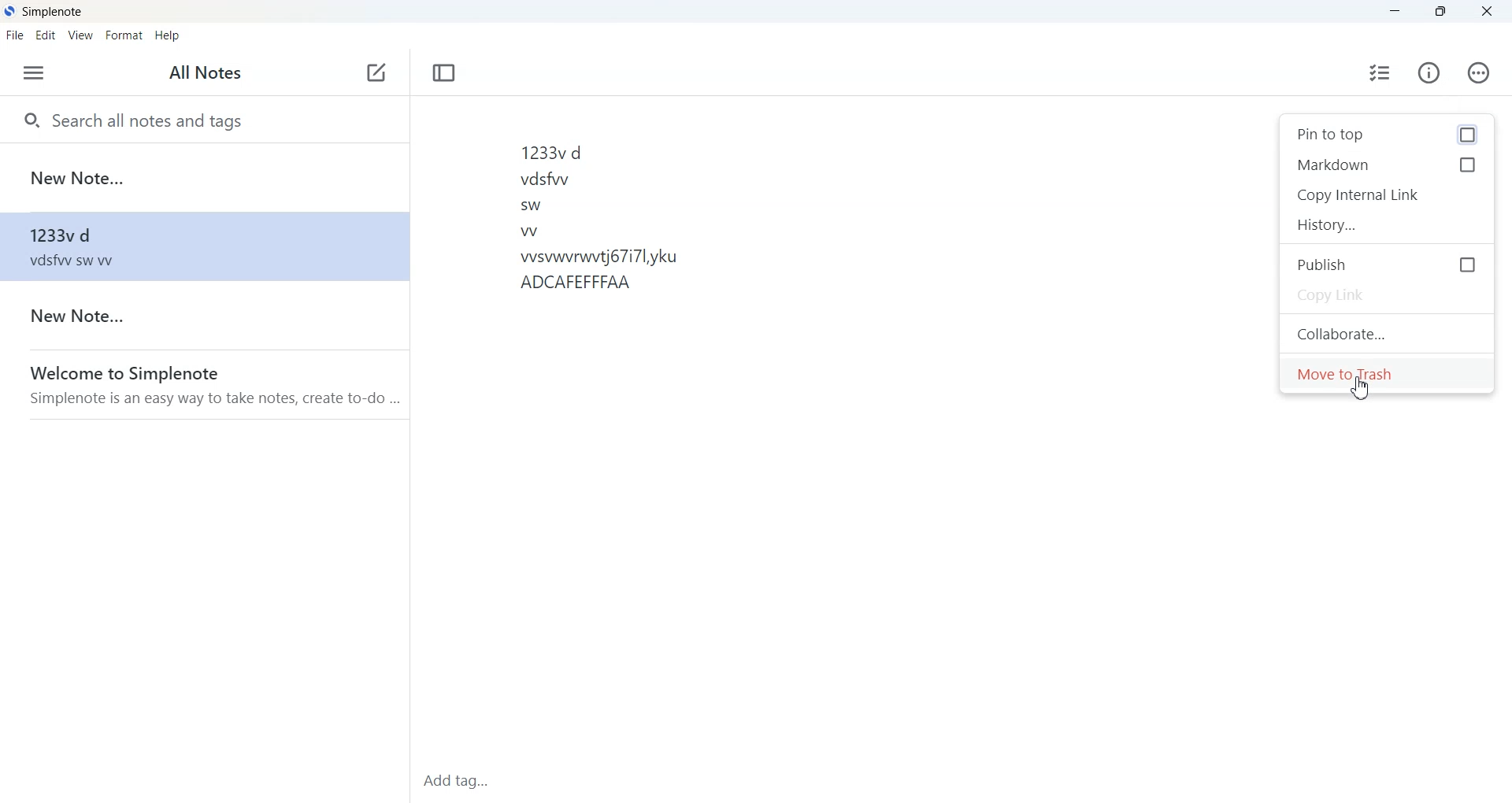  Describe the element at coordinates (1479, 72) in the screenshot. I see `Actions` at that location.